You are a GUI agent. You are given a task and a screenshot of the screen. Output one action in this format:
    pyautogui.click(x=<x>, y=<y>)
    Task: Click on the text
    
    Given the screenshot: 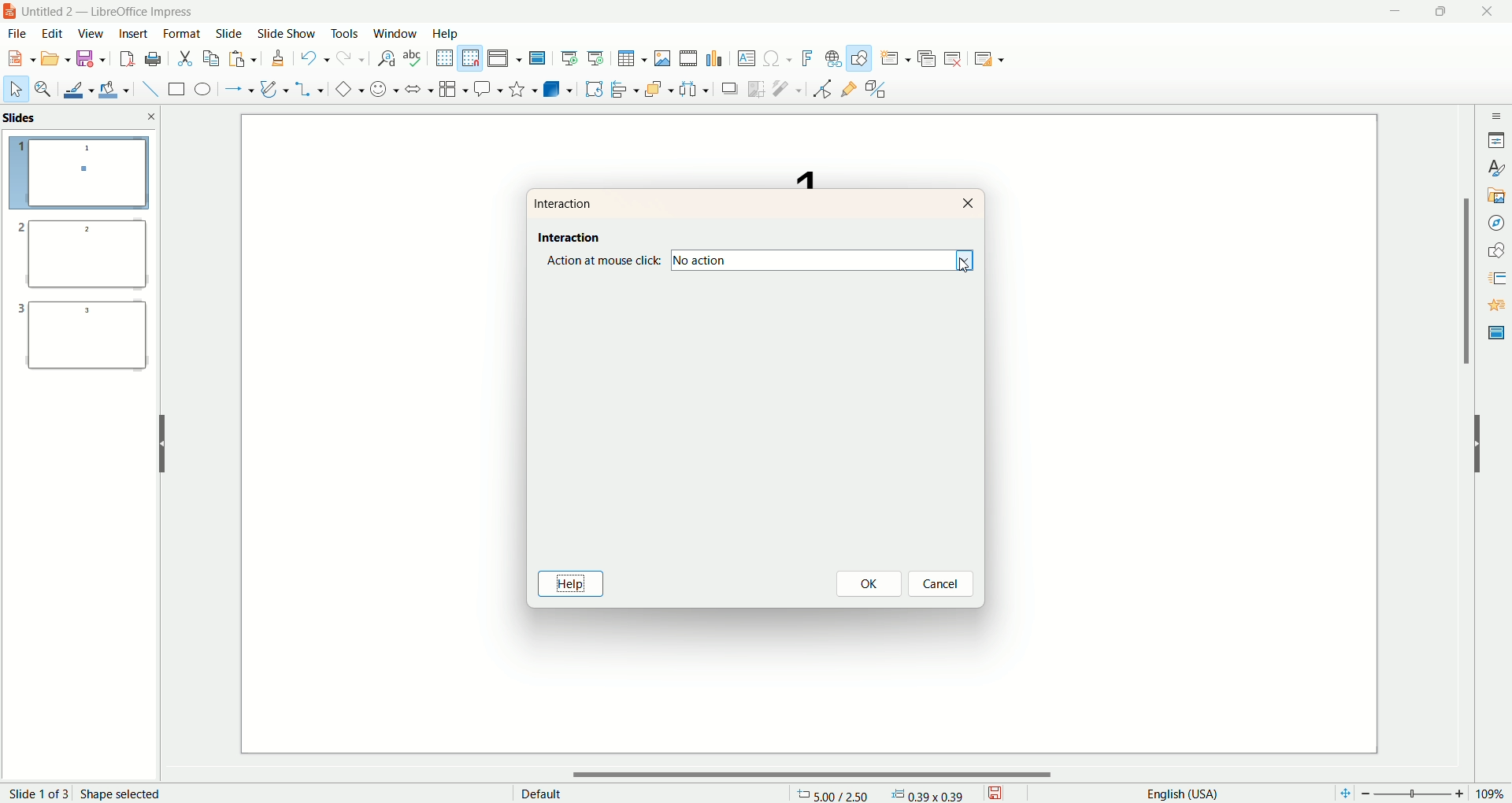 What is the action you would take?
    pyautogui.click(x=795, y=171)
    